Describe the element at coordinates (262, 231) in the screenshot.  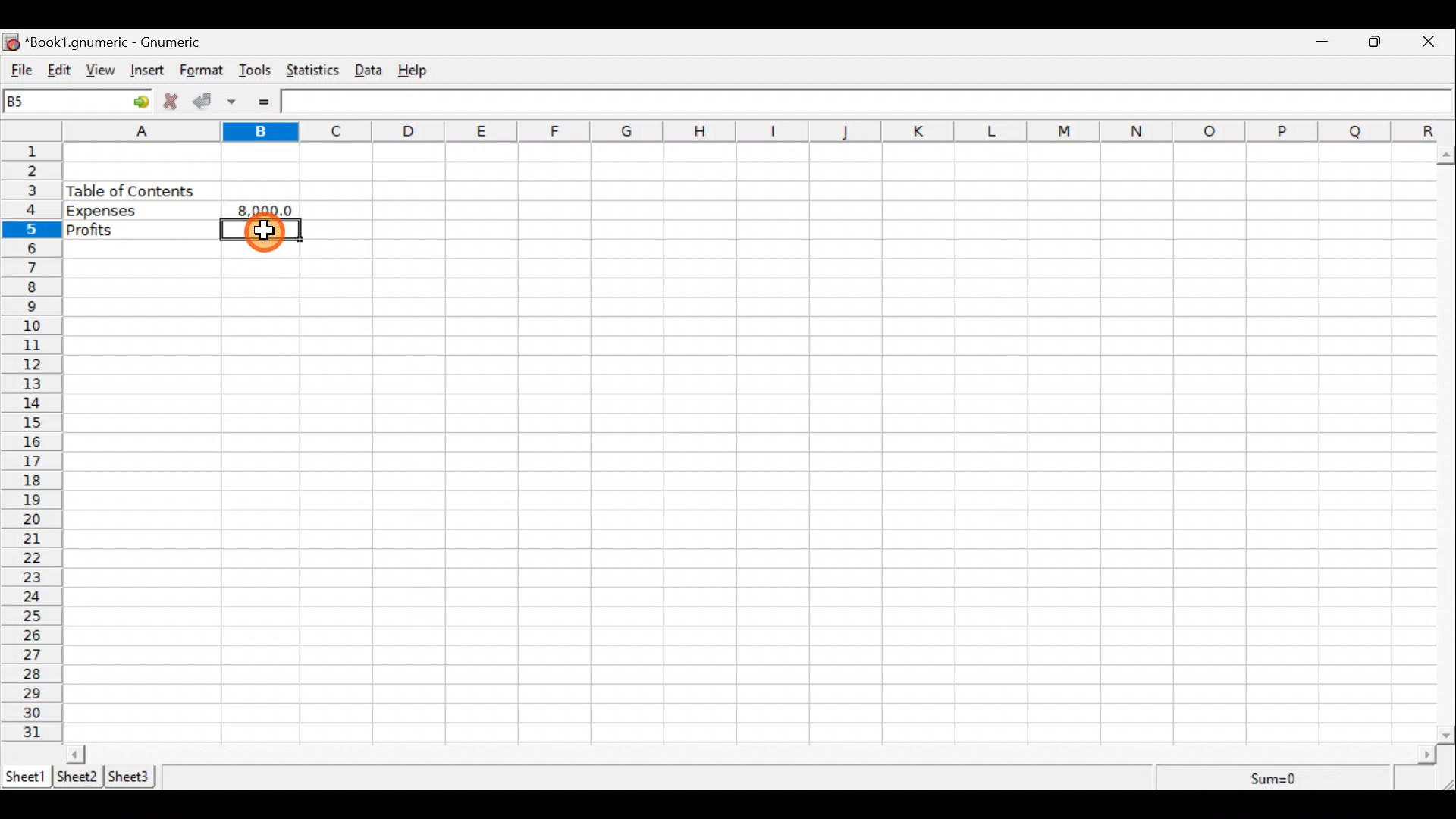
I see `Selected cell` at that location.